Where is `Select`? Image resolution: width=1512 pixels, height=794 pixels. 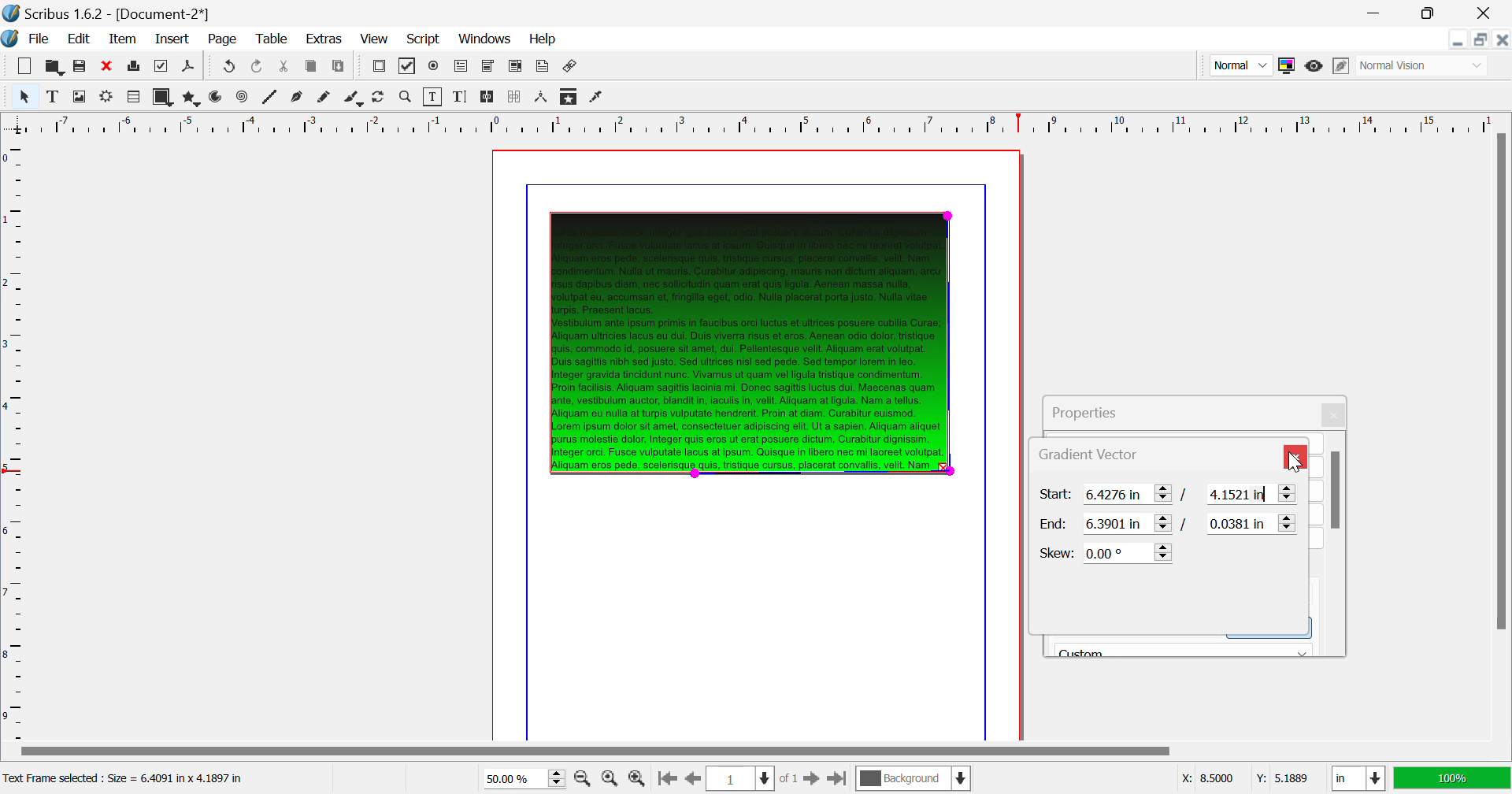 Select is located at coordinates (24, 95).